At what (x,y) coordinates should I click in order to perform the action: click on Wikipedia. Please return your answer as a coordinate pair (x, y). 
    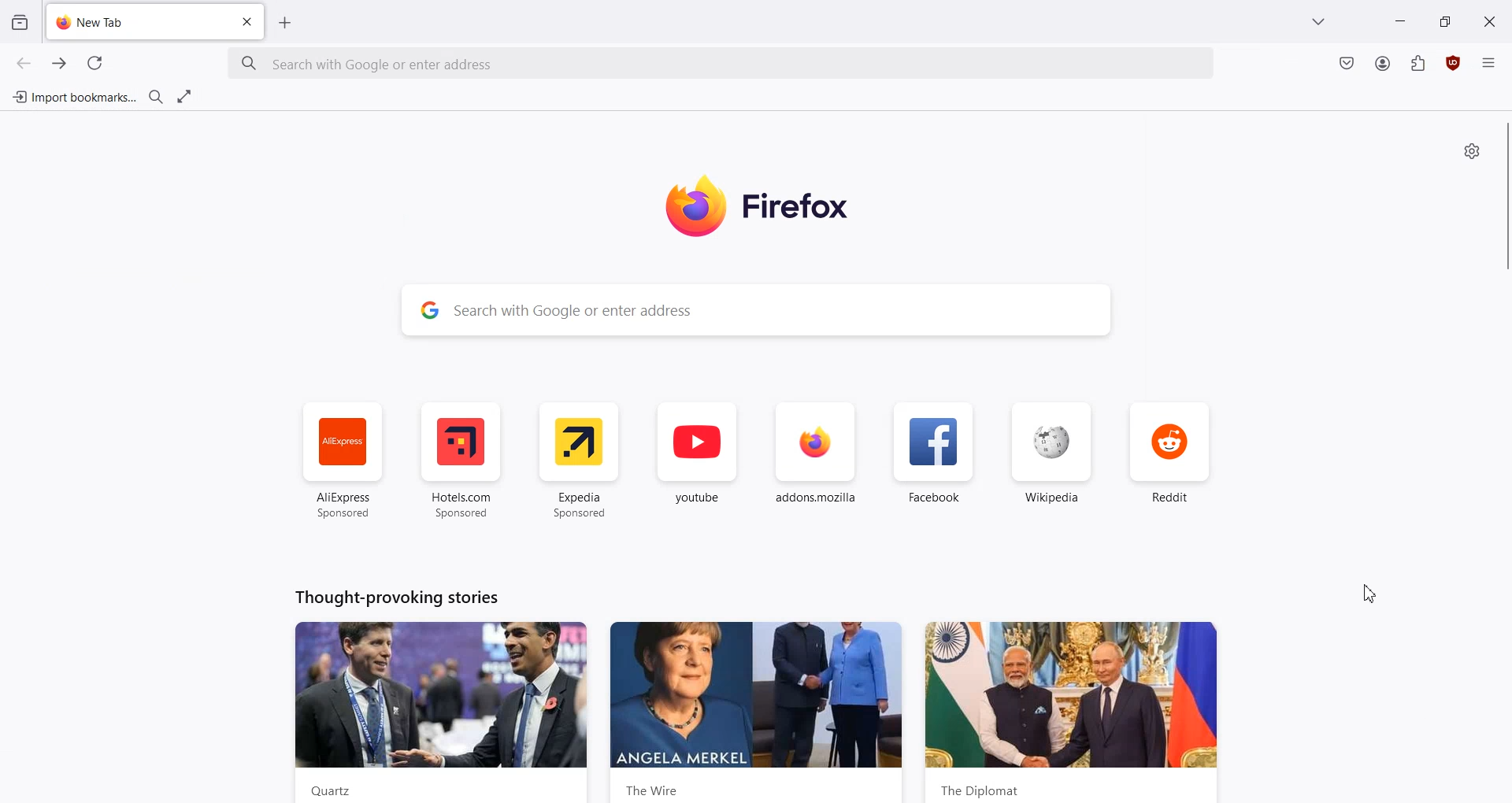
    Looking at the image, I should click on (1052, 461).